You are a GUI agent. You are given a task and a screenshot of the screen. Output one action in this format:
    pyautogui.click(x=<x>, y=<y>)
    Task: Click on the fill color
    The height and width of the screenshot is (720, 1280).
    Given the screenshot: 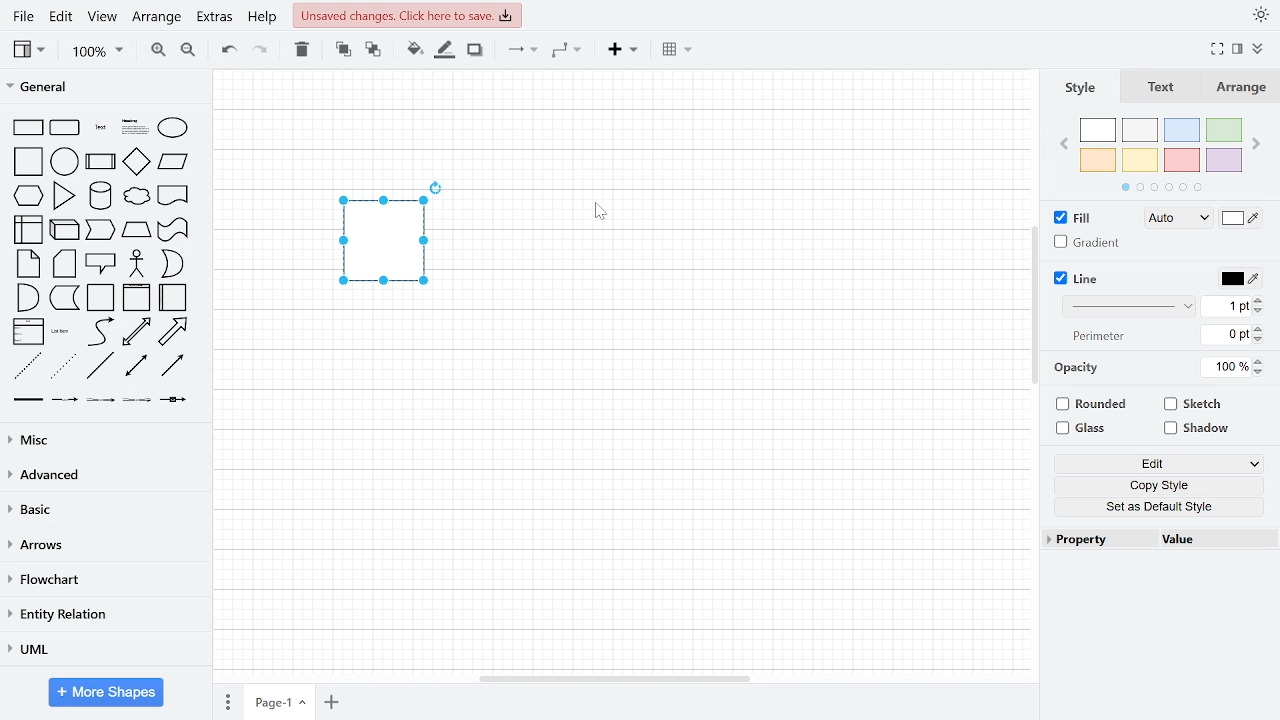 What is the action you would take?
    pyautogui.click(x=1242, y=219)
    